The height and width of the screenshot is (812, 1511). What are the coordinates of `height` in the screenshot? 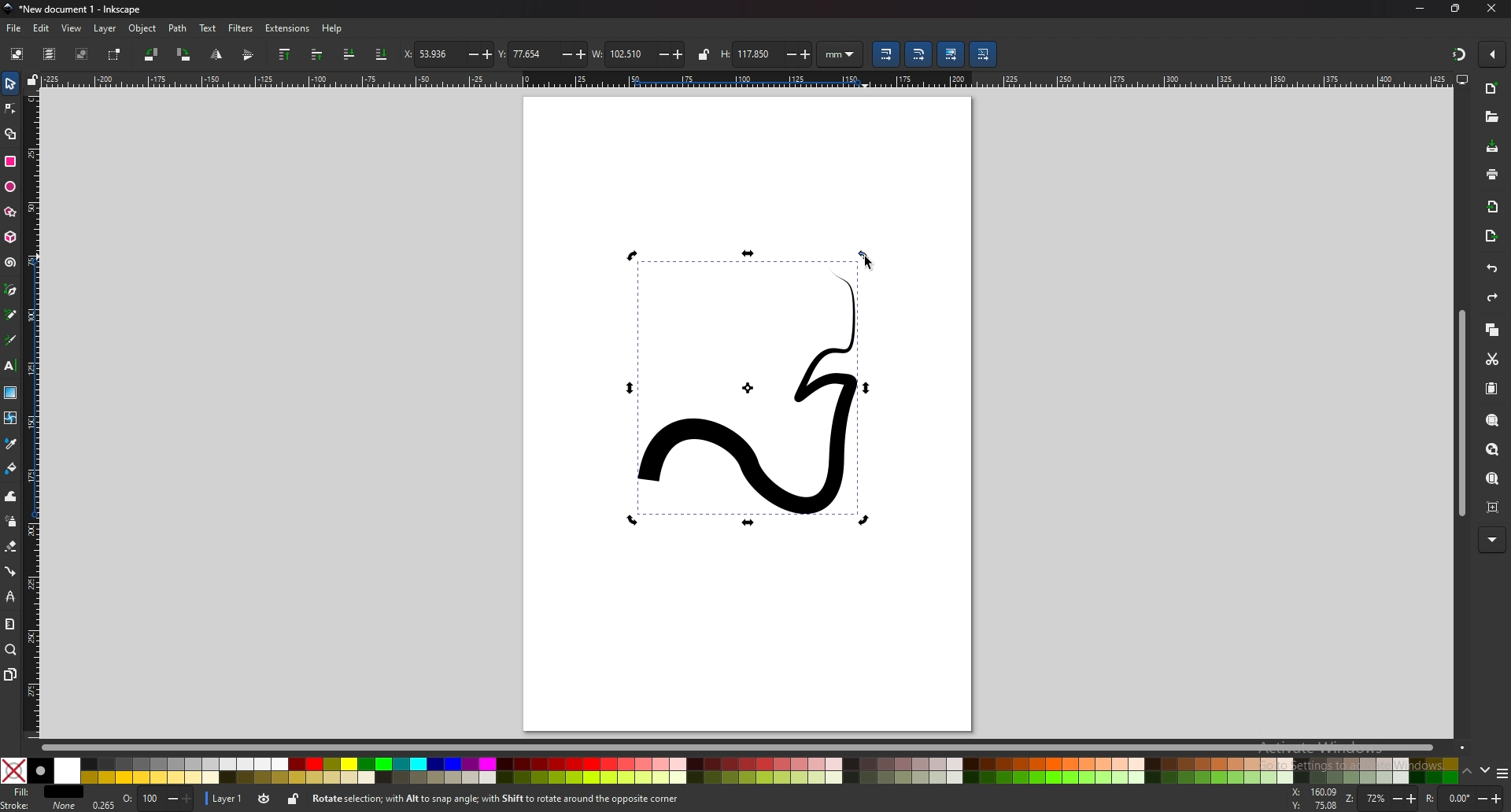 It's located at (767, 53).